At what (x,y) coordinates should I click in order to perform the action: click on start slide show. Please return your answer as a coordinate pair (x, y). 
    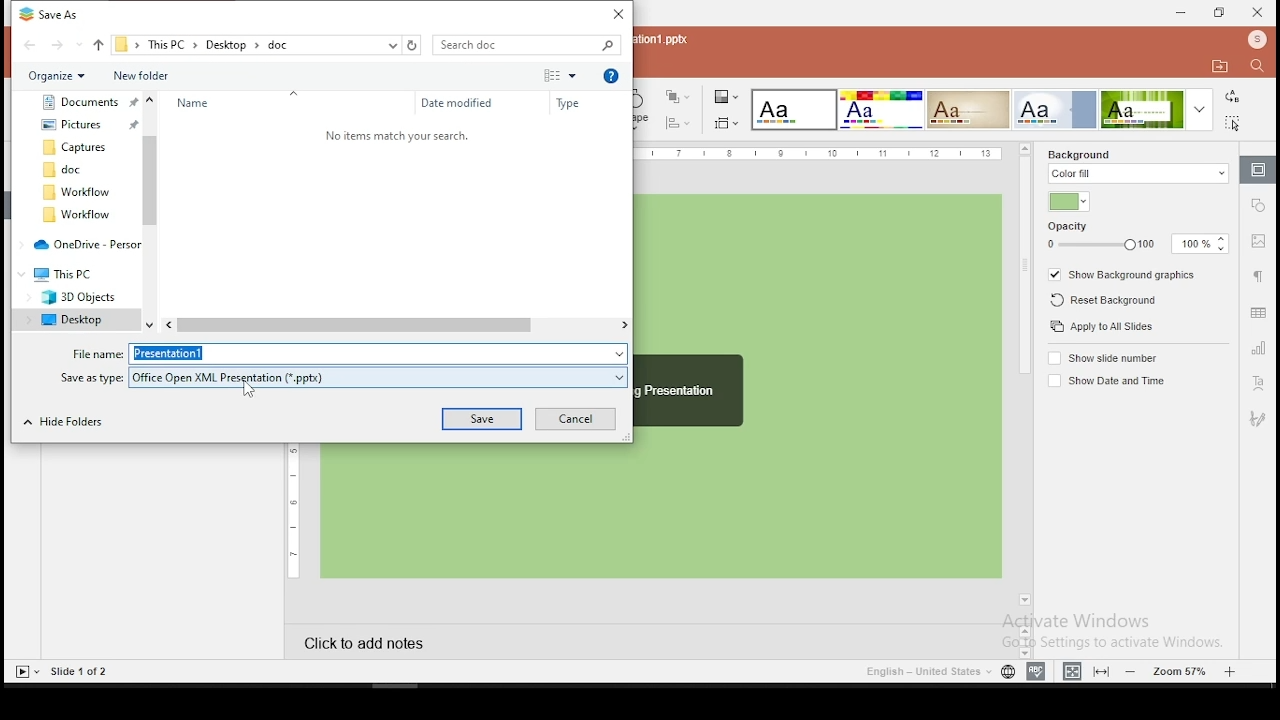
    Looking at the image, I should click on (25, 672).